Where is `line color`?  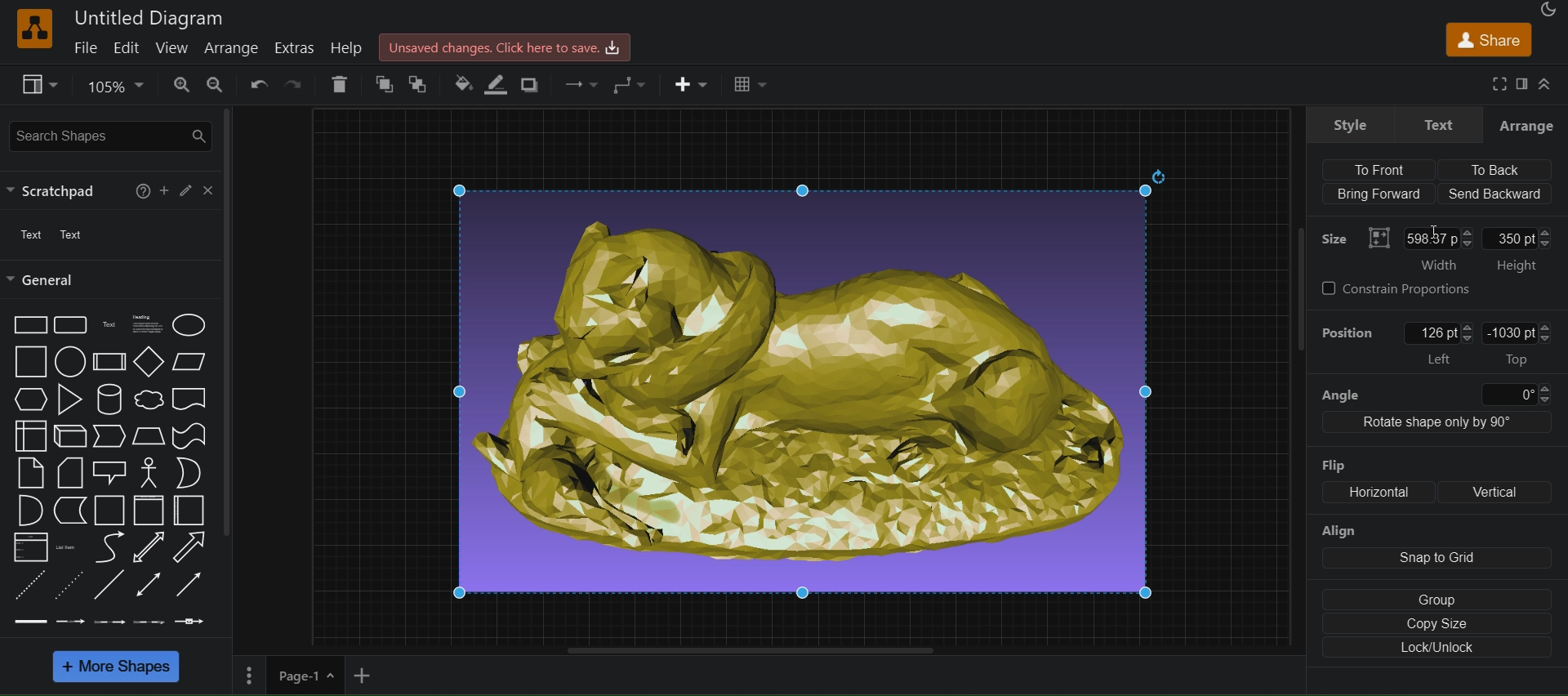
line color is located at coordinates (498, 86).